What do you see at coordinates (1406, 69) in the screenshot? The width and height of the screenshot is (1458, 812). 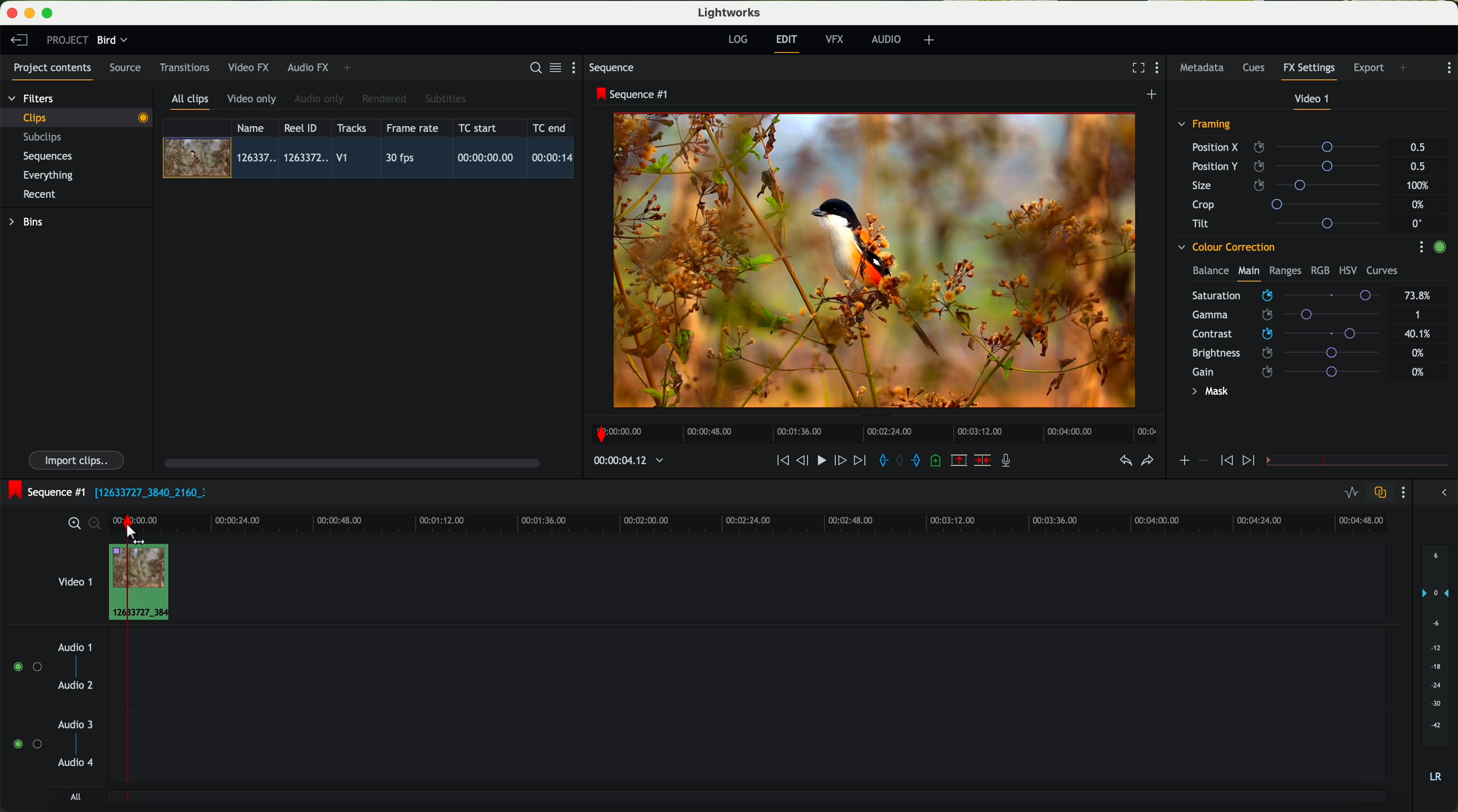 I see `add panel` at bounding box center [1406, 69].